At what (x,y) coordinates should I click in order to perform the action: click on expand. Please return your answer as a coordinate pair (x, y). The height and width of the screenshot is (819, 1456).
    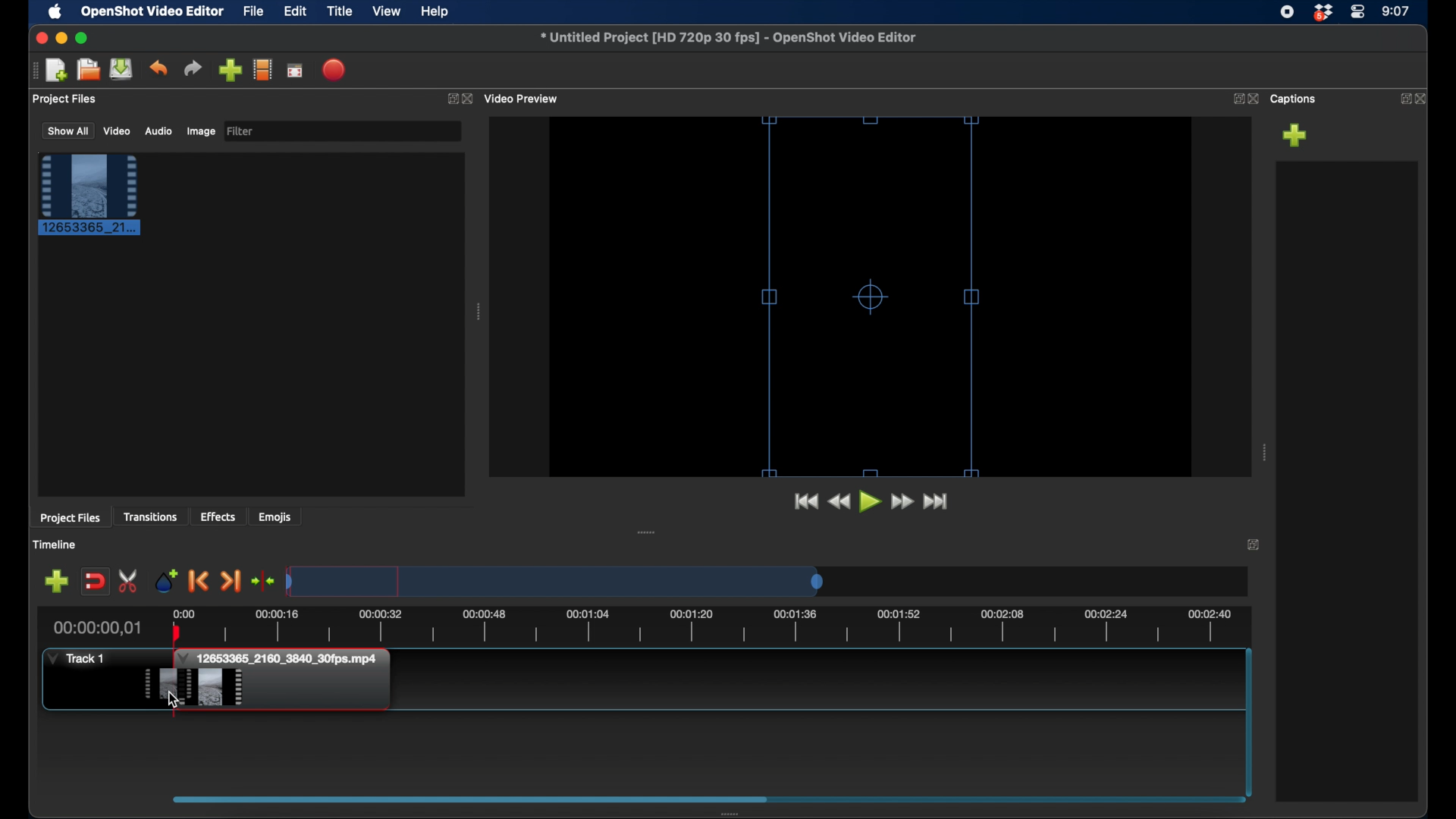
    Looking at the image, I should click on (1235, 99).